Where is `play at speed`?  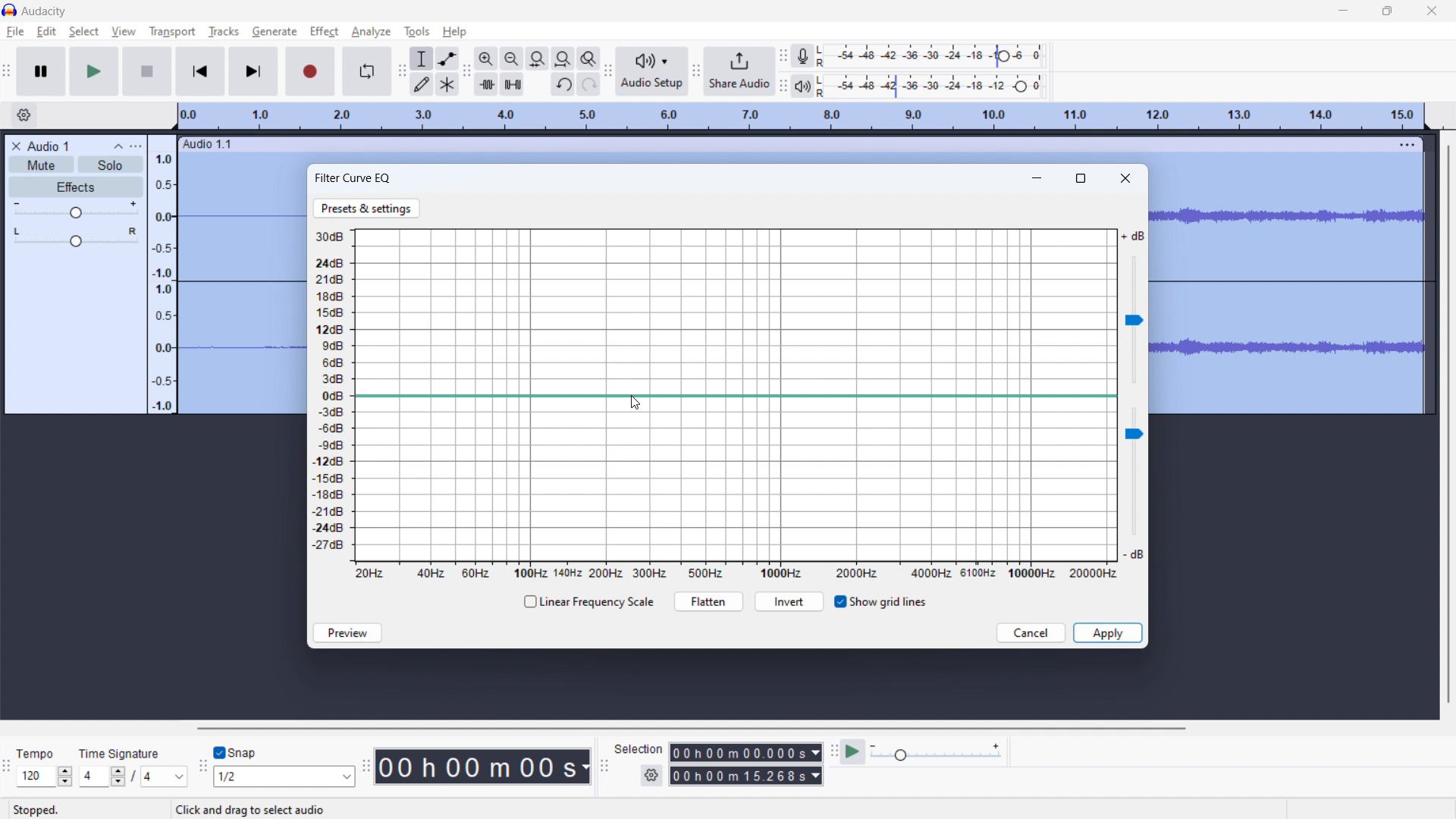 play at speed is located at coordinates (854, 752).